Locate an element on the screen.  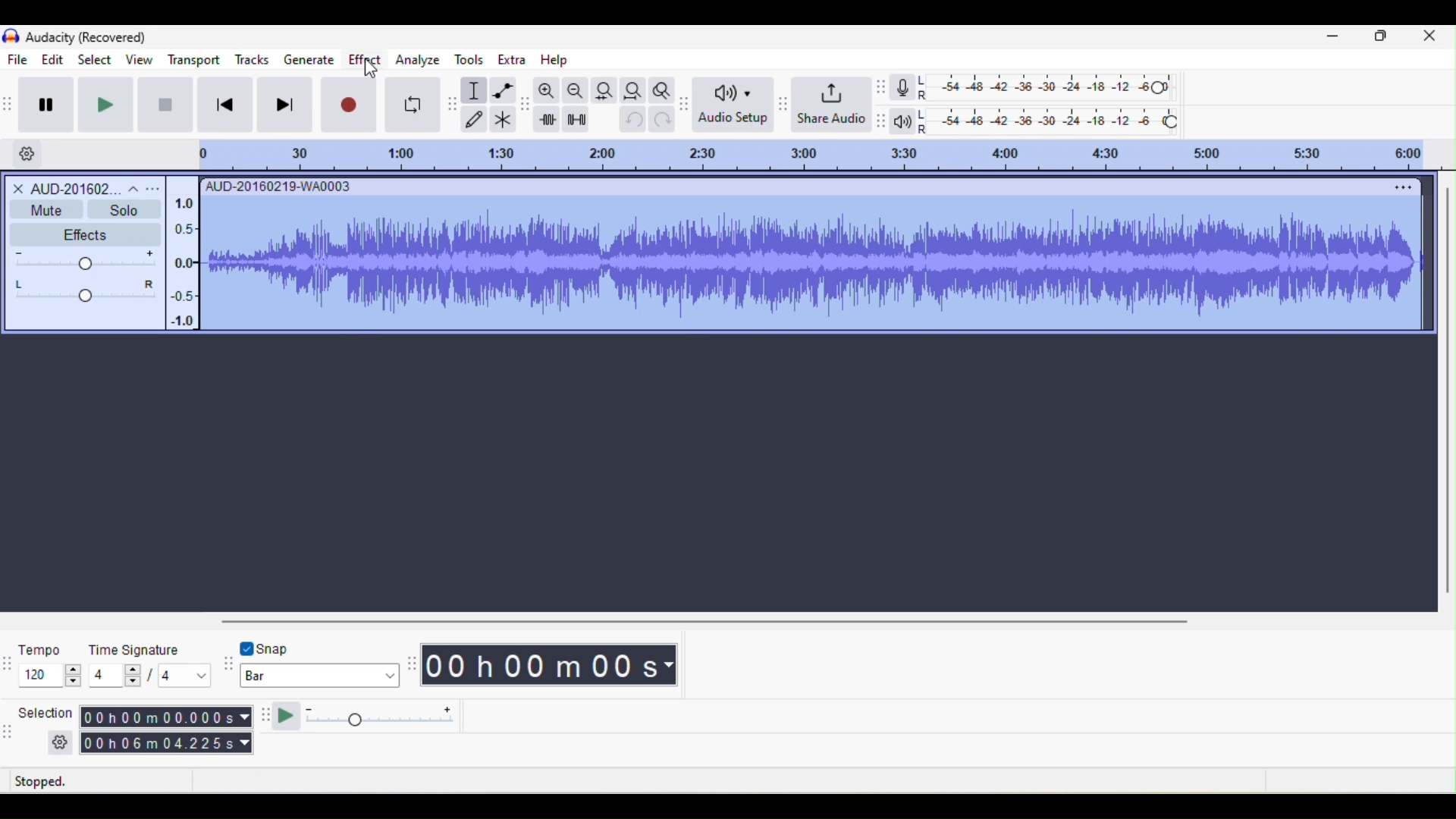
record meter is located at coordinates (903, 88).